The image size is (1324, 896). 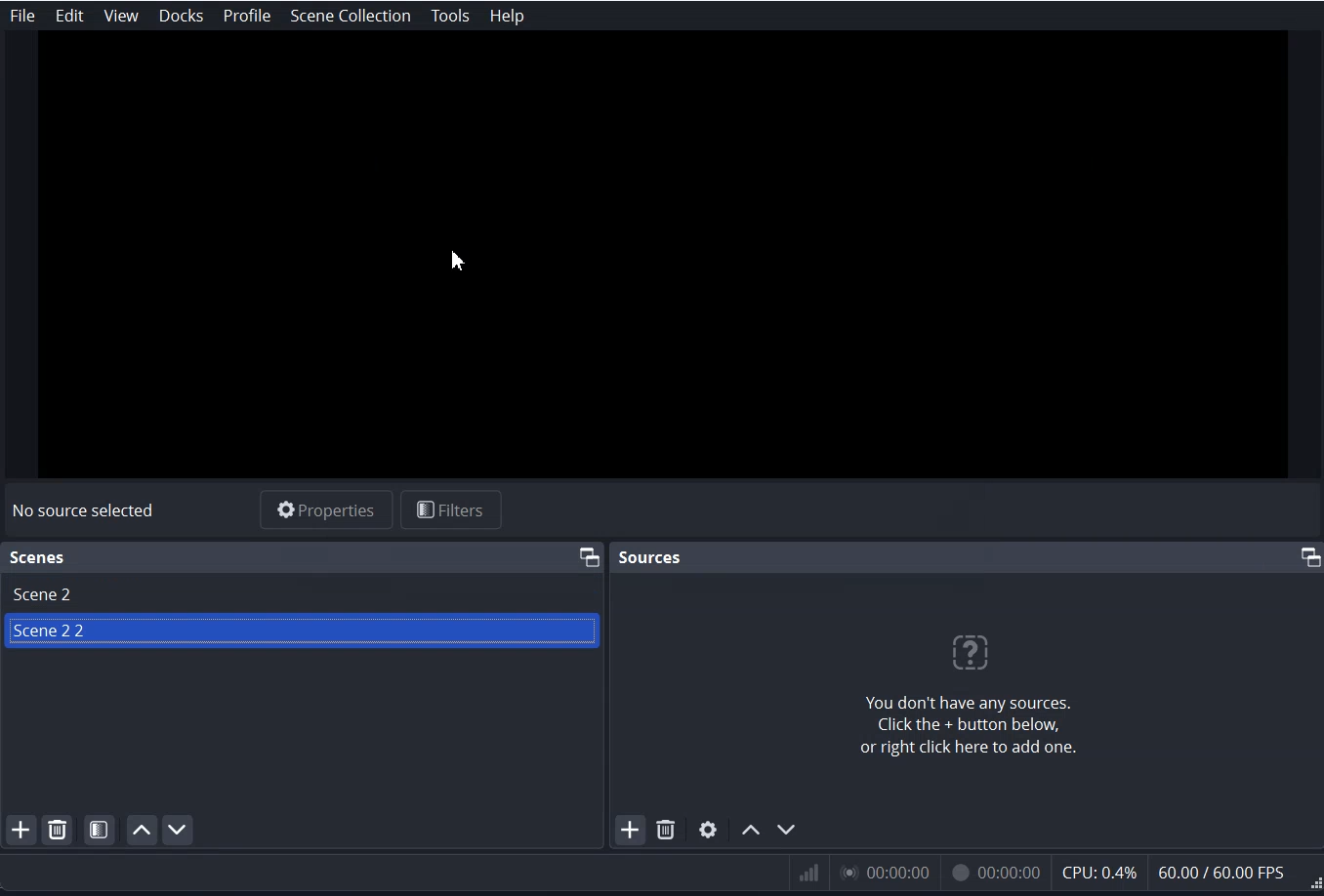 I want to click on Add Source, so click(x=631, y=829).